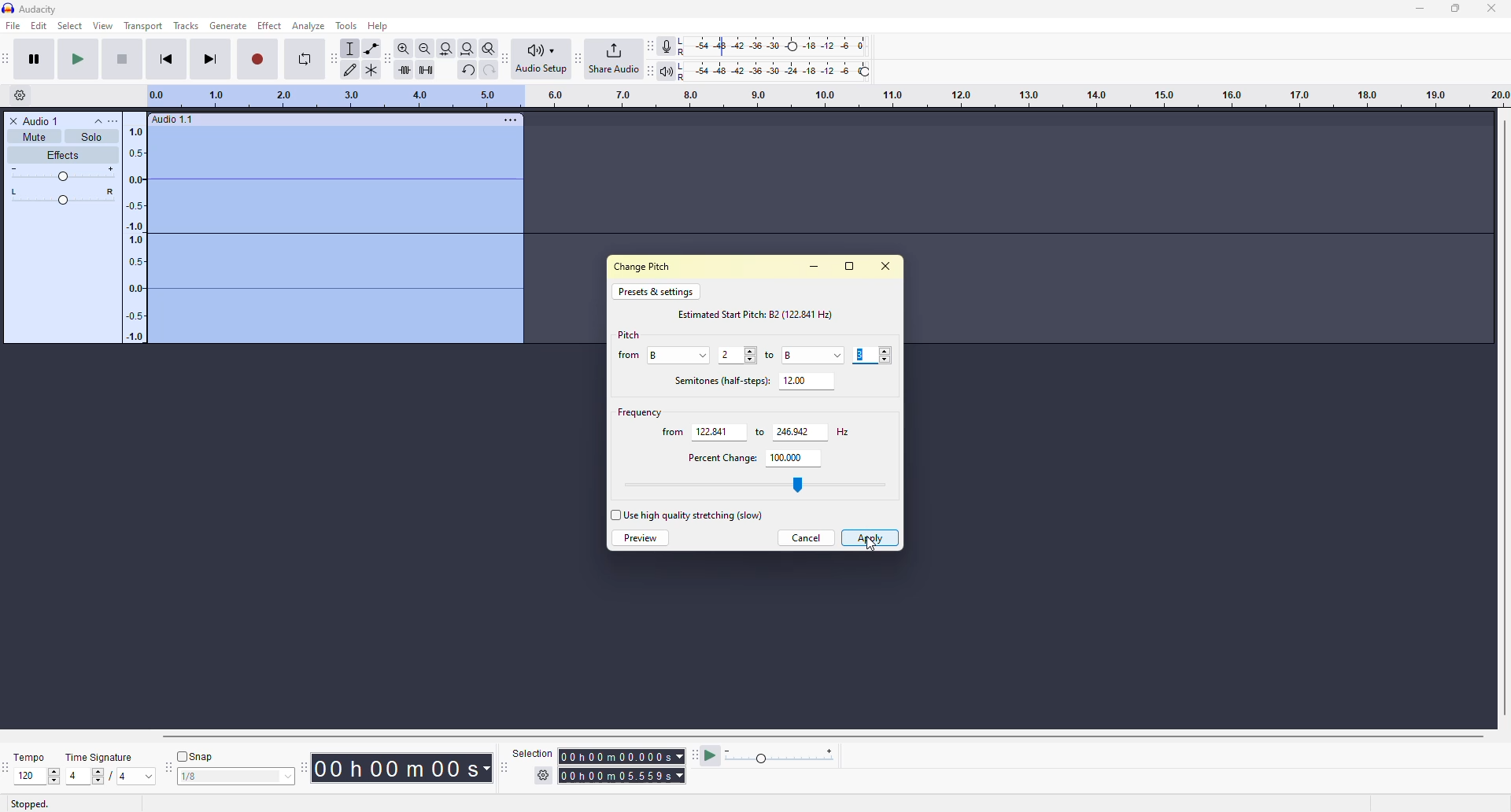 The width and height of the screenshot is (1511, 812). I want to click on fit selection to width, so click(446, 48).